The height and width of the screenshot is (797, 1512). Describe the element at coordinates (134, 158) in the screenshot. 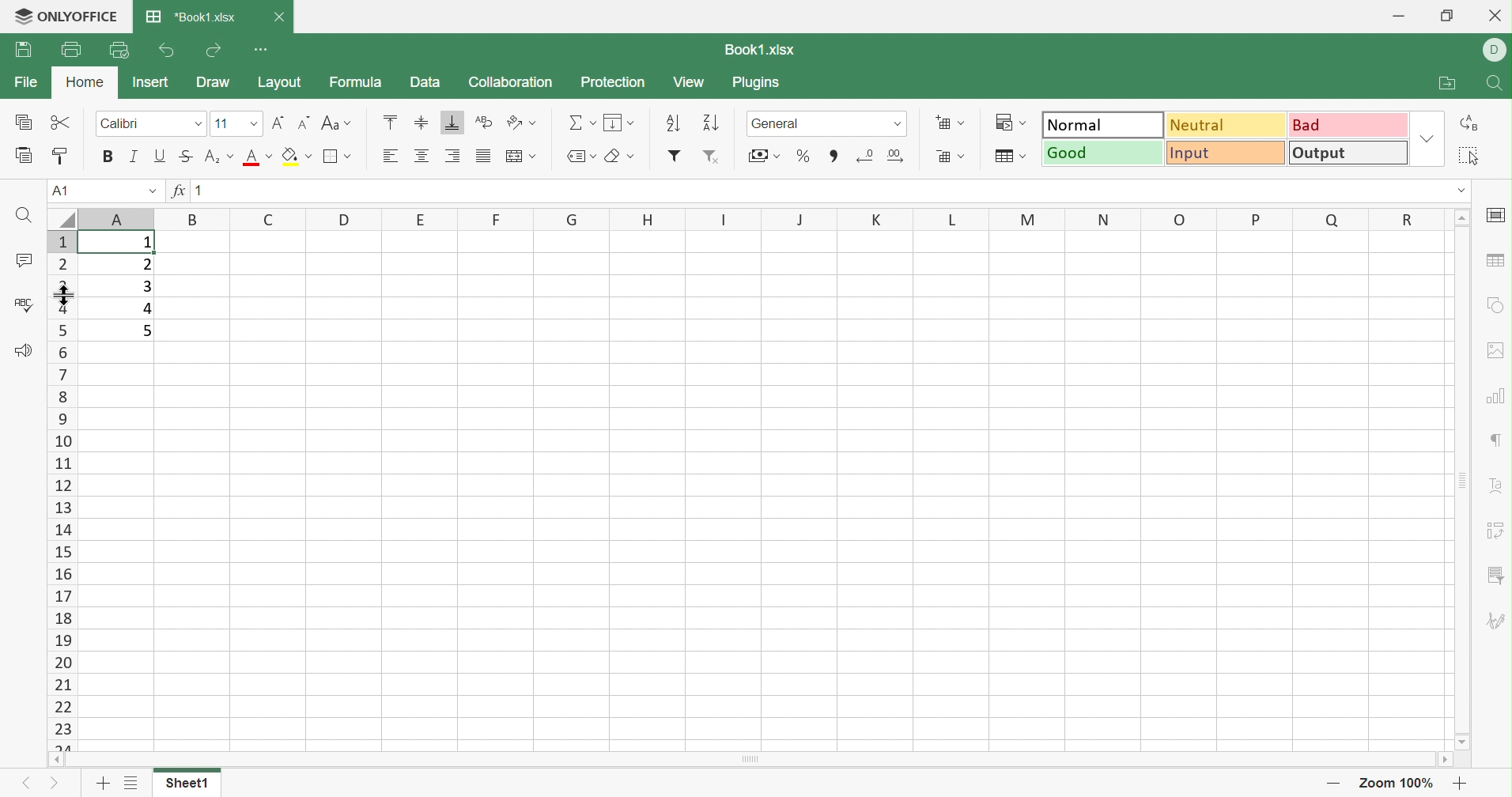

I see `Italic` at that location.